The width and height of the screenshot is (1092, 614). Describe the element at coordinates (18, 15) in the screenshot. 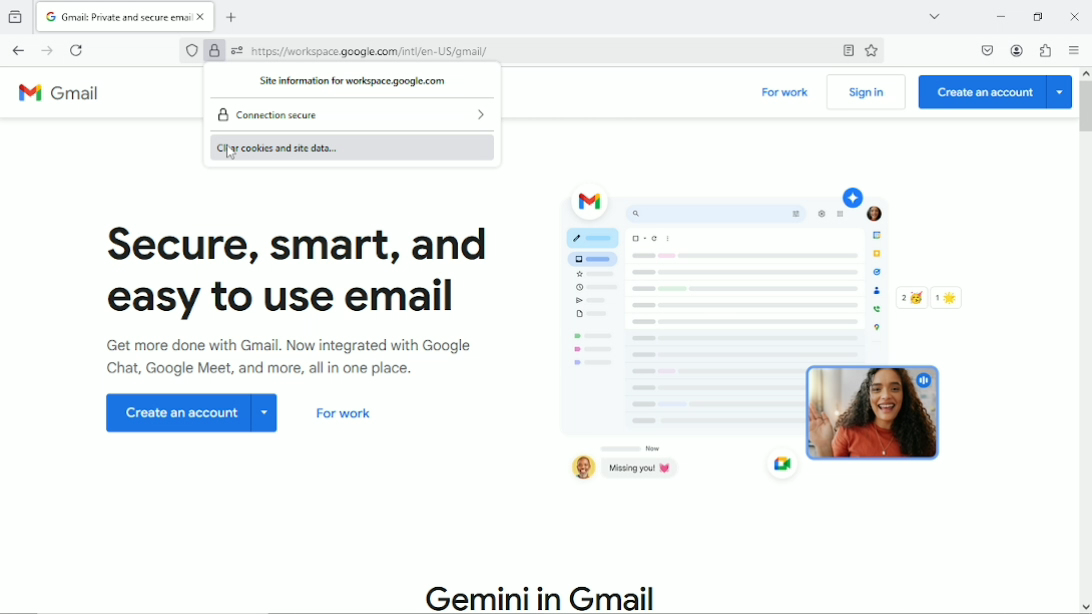

I see `View recent browsing` at that location.